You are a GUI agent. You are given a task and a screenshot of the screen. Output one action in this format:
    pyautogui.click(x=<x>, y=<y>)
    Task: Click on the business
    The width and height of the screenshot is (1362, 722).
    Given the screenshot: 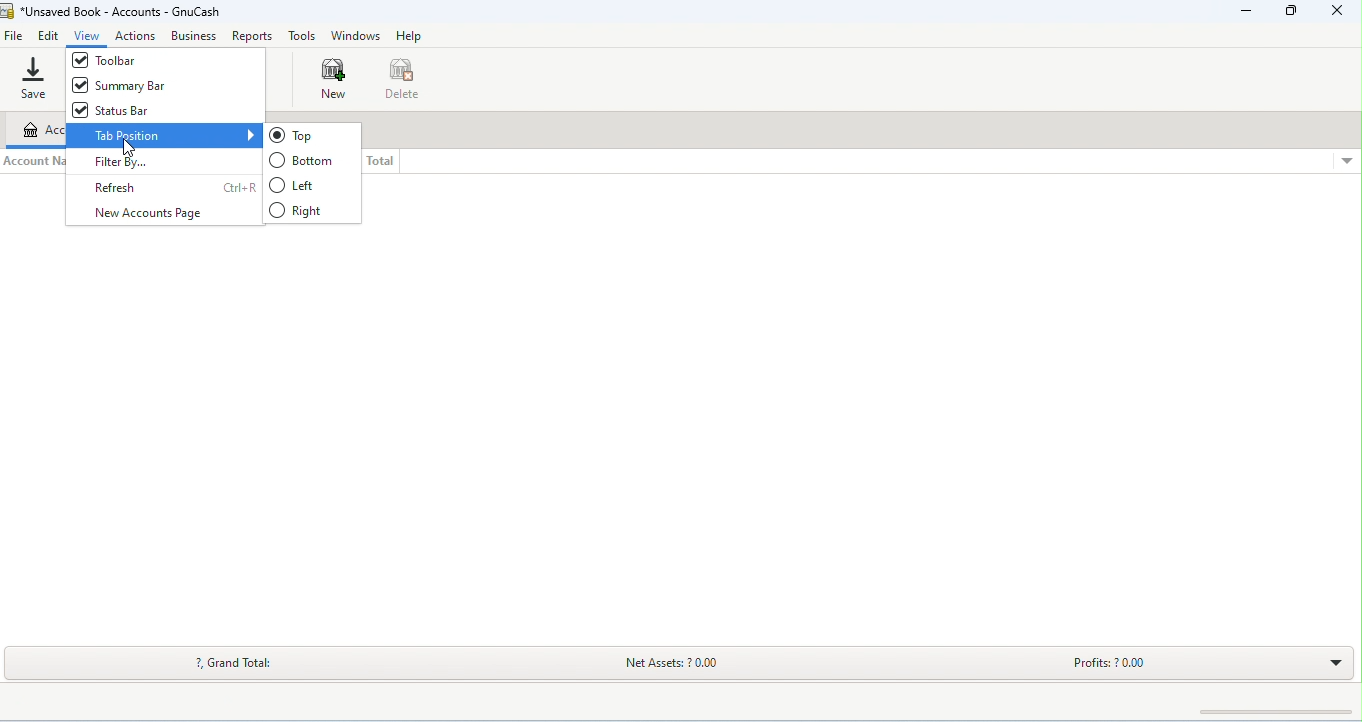 What is the action you would take?
    pyautogui.click(x=195, y=35)
    